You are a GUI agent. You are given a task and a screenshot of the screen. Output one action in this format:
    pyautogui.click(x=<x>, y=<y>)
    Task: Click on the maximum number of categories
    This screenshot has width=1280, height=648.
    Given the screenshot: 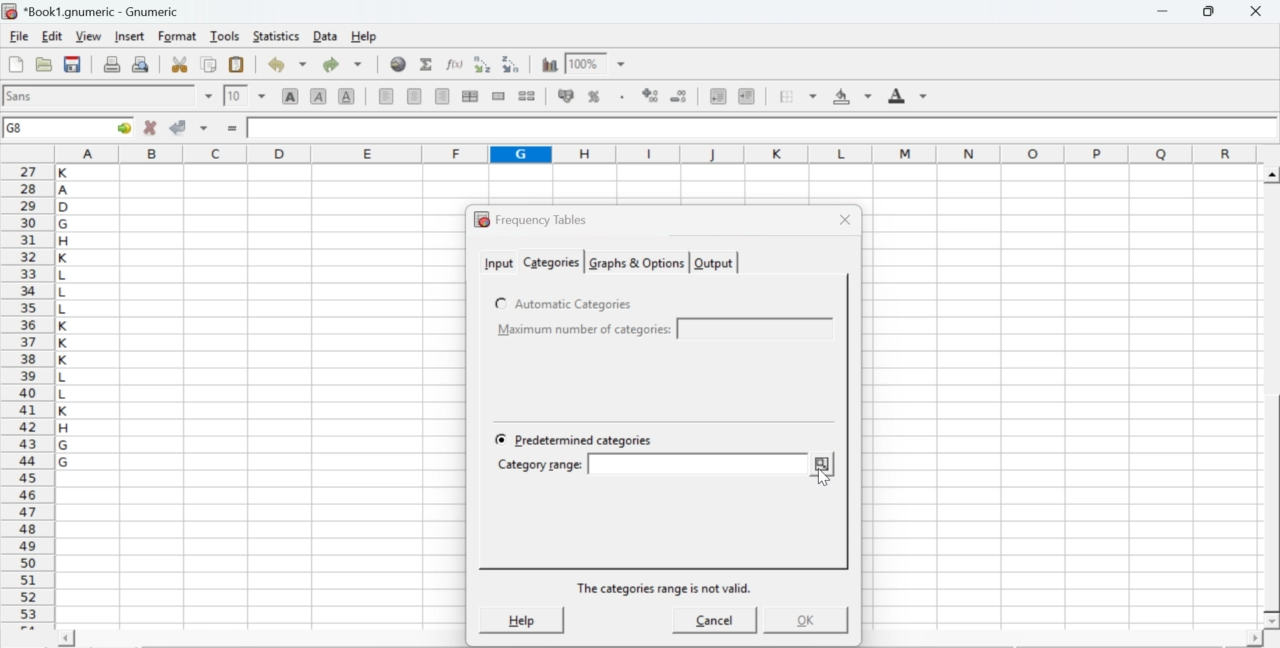 What is the action you would take?
    pyautogui.click(x=585, y=329)
    